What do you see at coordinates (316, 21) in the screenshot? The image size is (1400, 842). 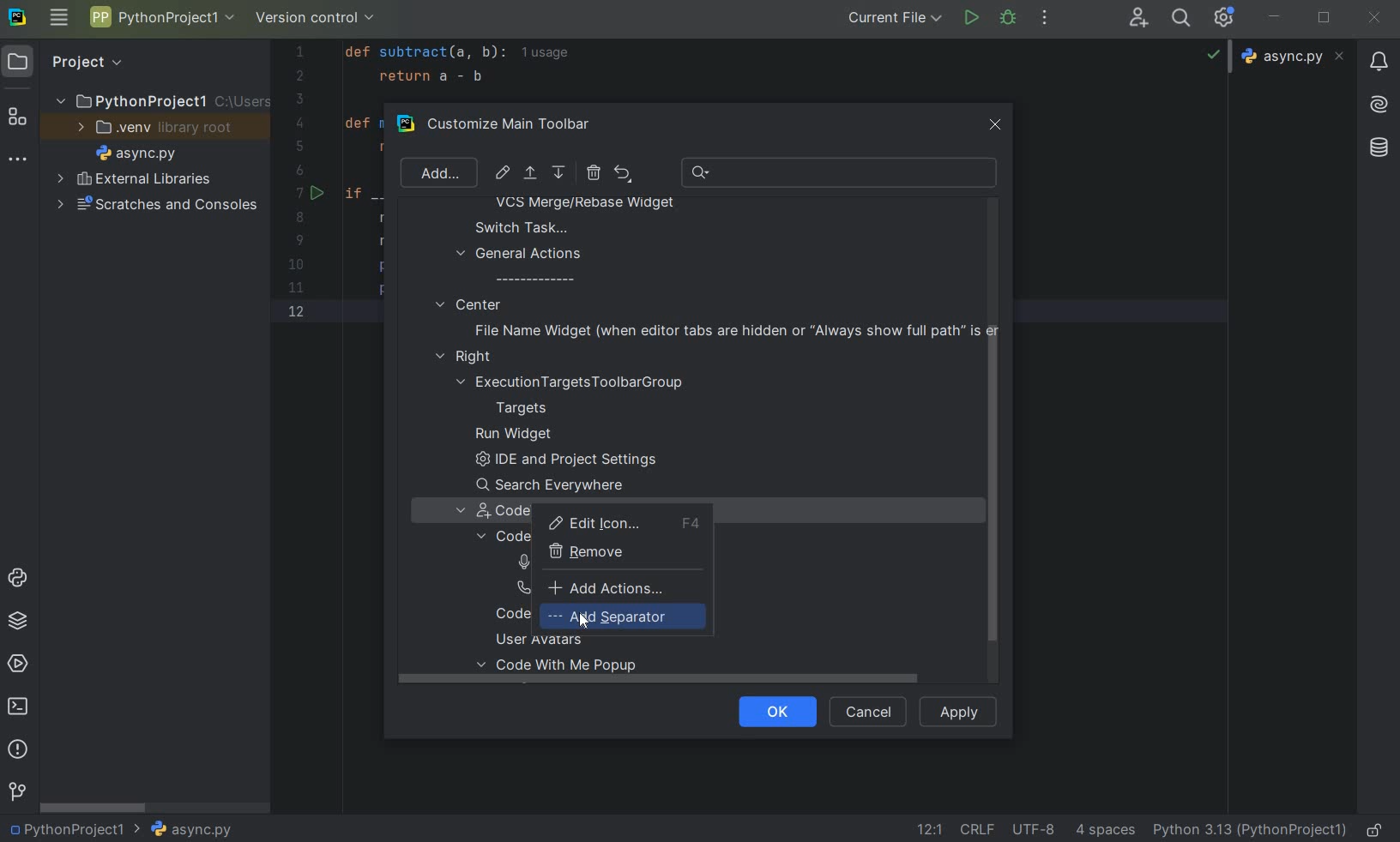 I see `VERSION CONTROL` at bounding box center [316, 21].